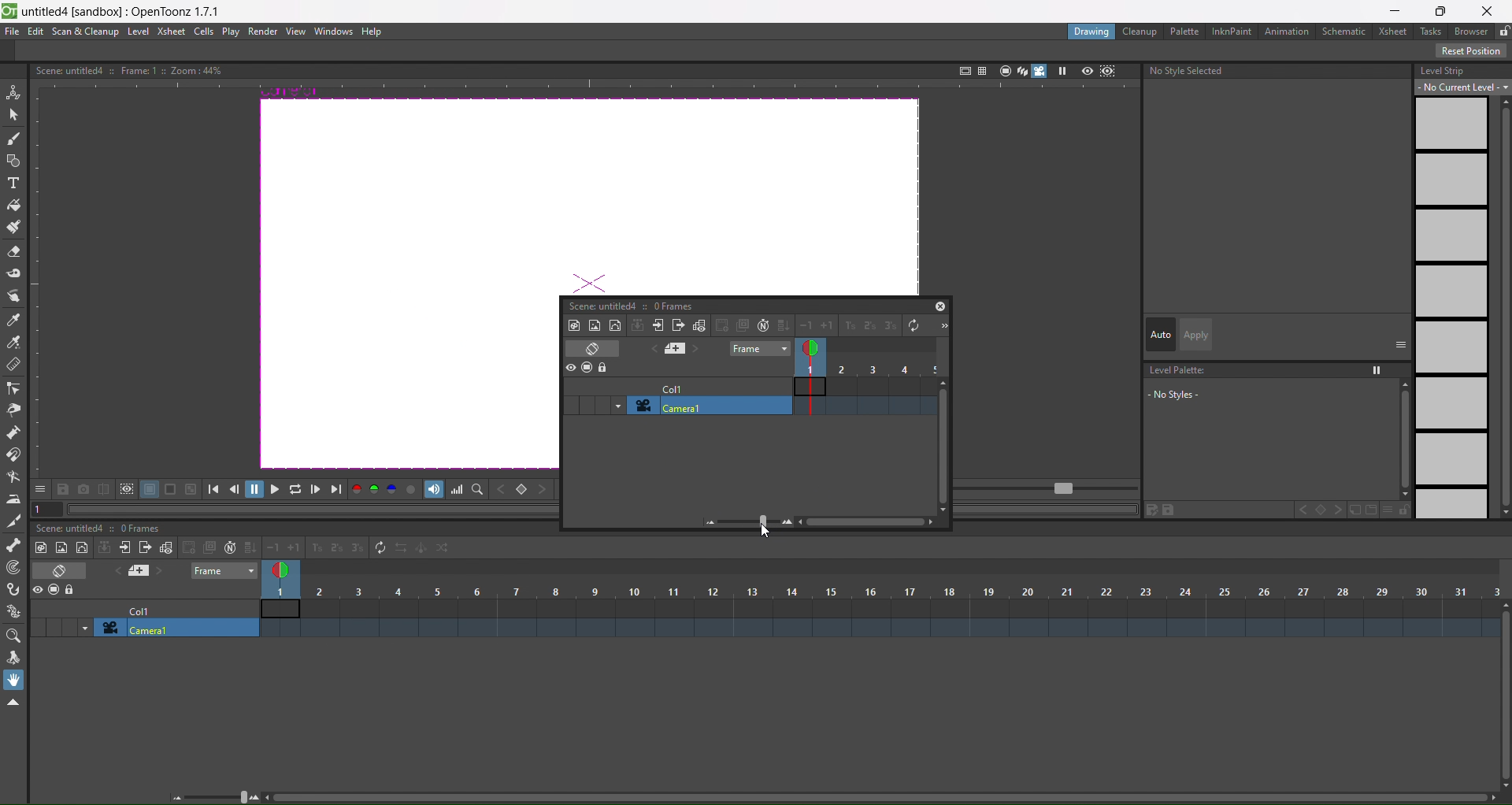 Image resolution: width=1512 pixels, height=805 pixels. Describe the element at coordinates (249, 547) in the screenshot. I see `fill in empty cells` at that location.